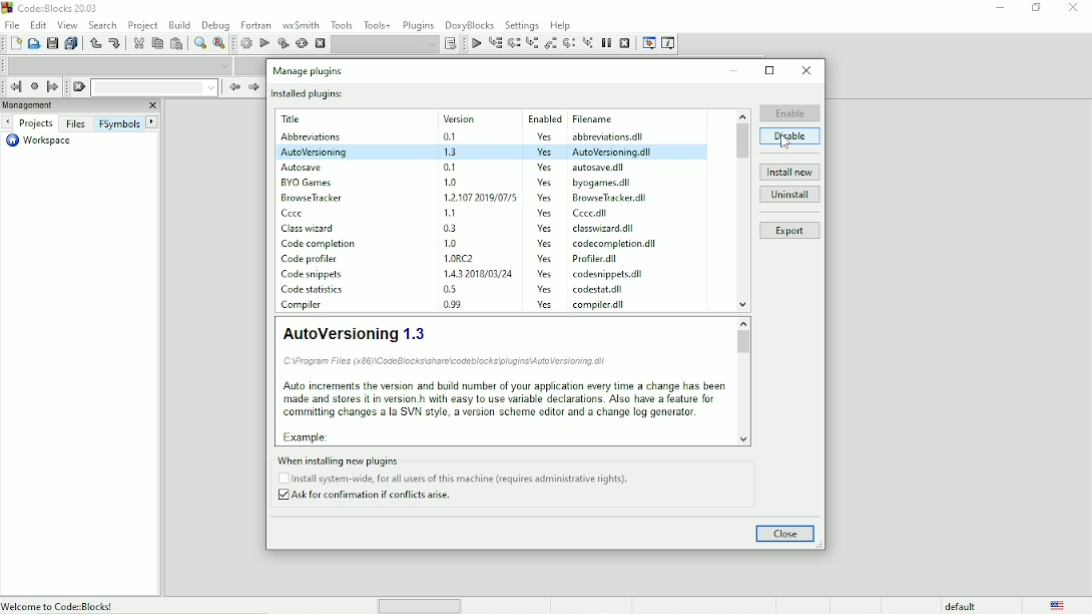 This screenshot has width=1092, height=614. What do you see at coordinates (10, 24) in the screenshot?
I see `File` at bounding box center [10, 24].